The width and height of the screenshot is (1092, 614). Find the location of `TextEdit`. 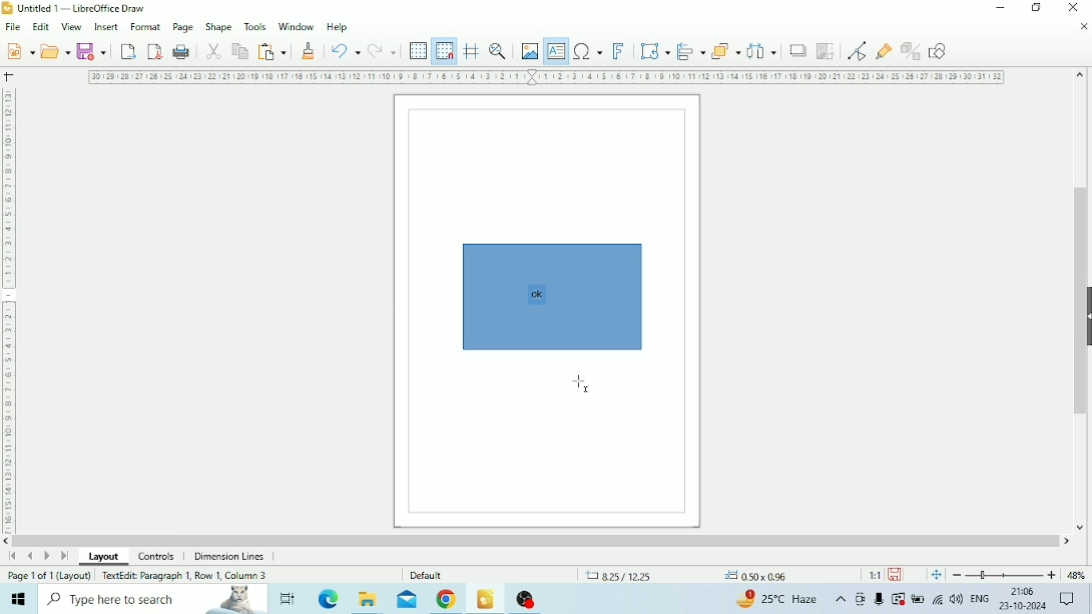

TextEdit is located at coordinates (186, 574).